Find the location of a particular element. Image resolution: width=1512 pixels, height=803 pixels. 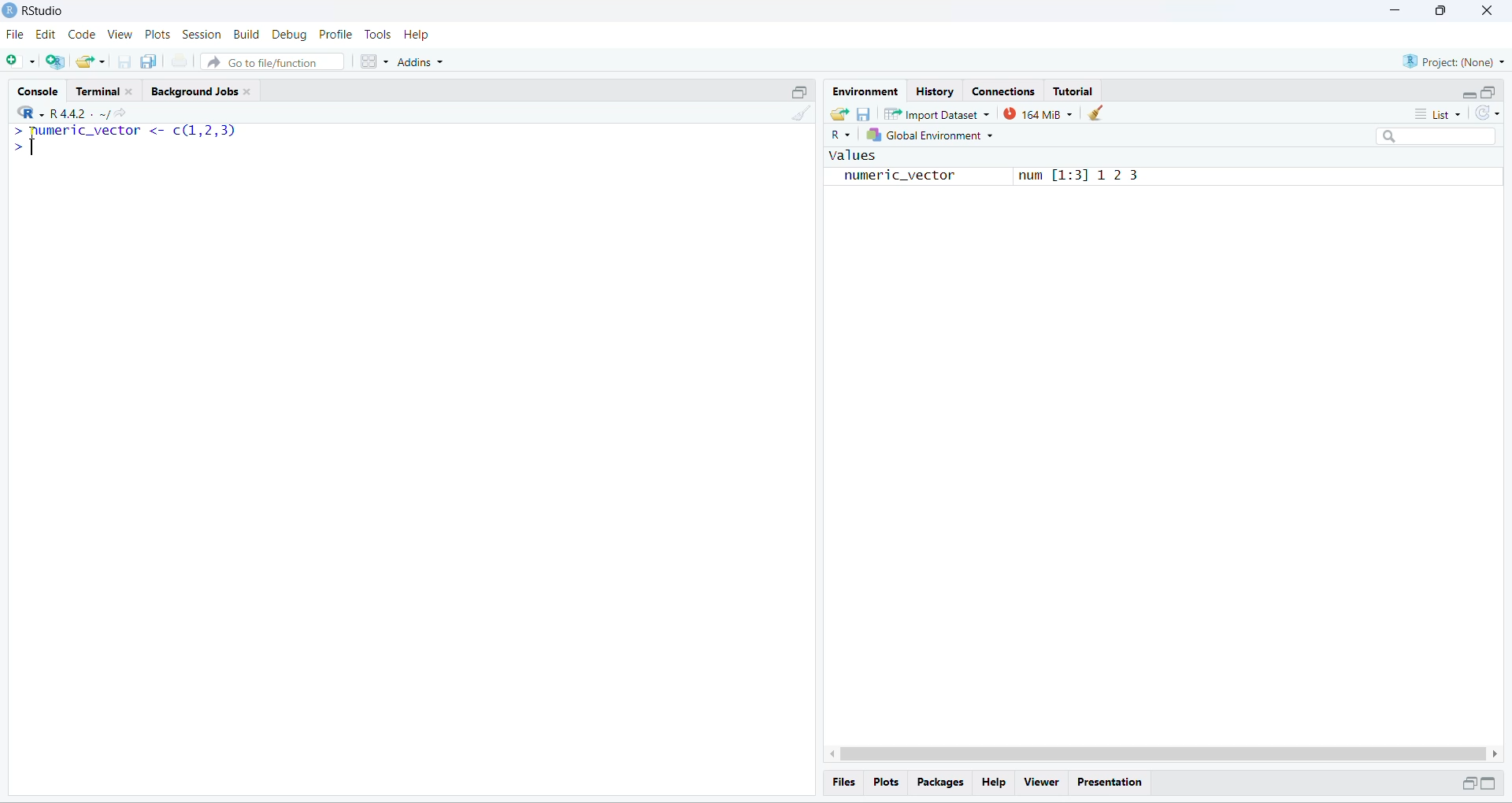

search is located at coordinates (1438, 137).